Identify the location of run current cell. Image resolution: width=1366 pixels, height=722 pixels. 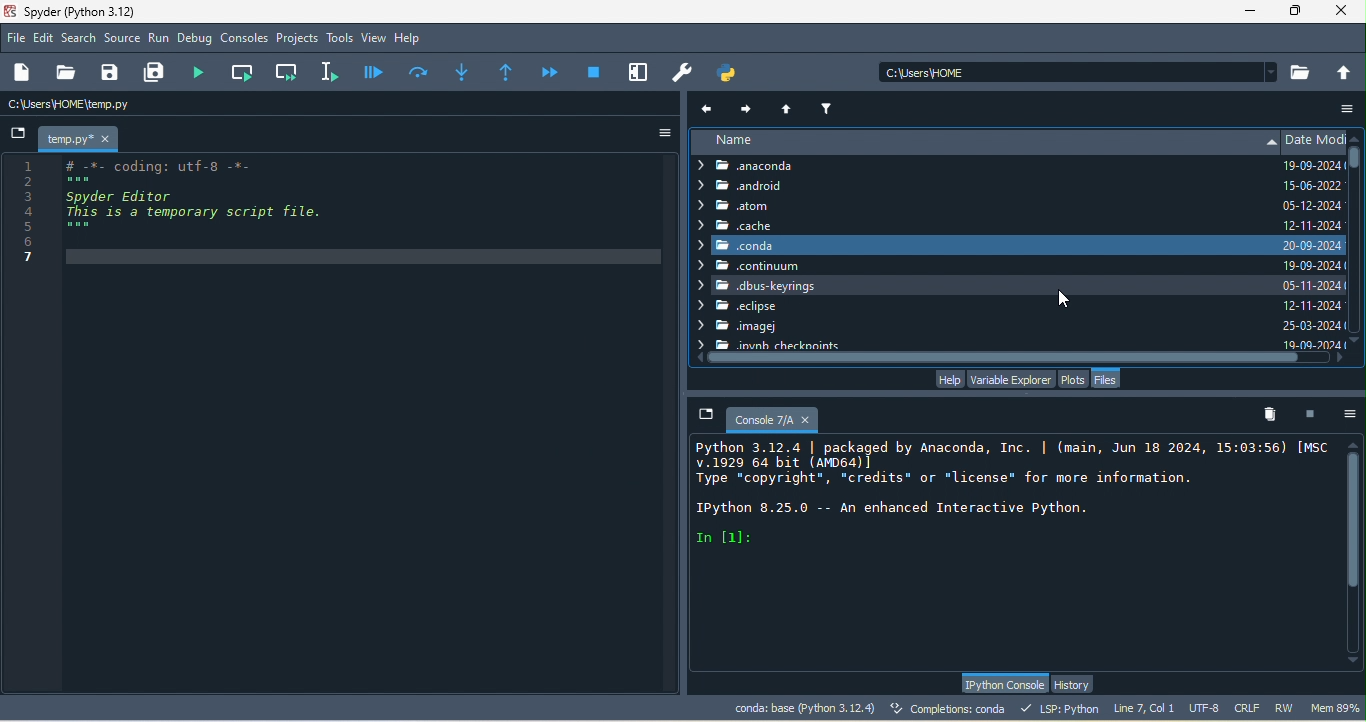
(245, 72).